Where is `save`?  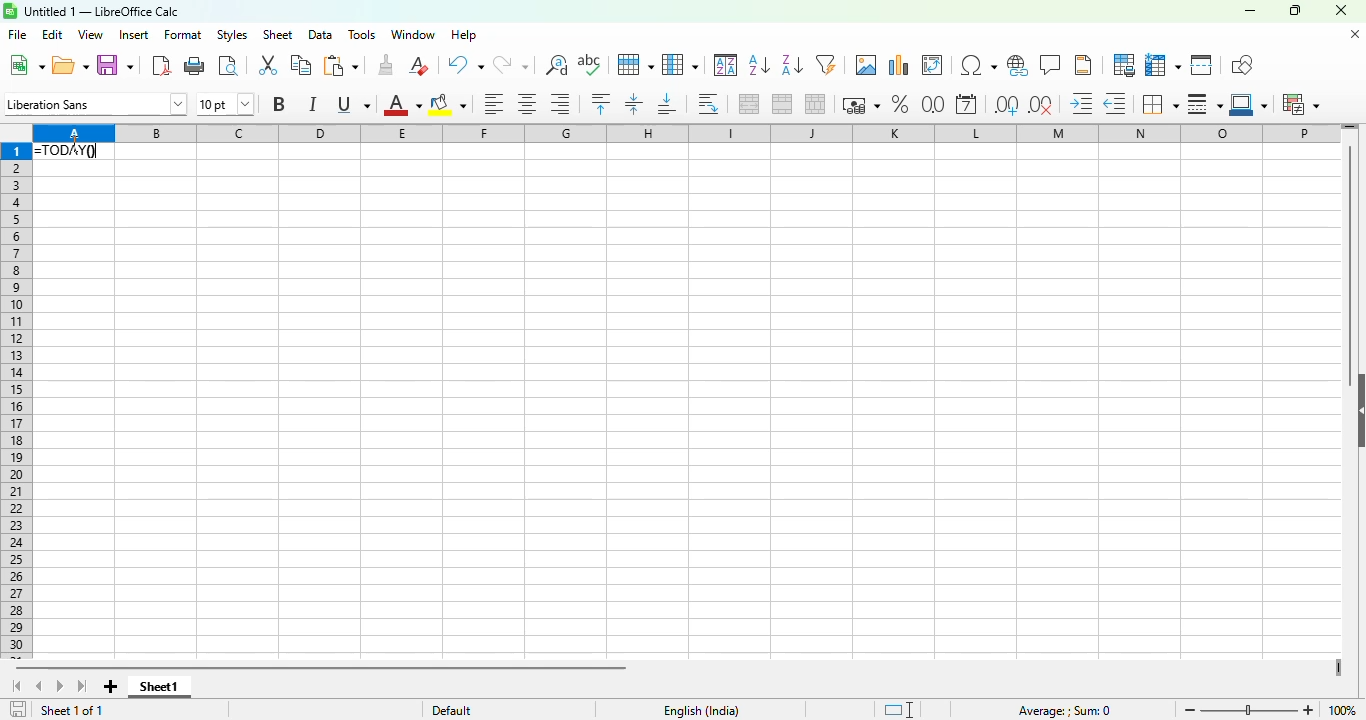
save is located at coordinates (114, 66).